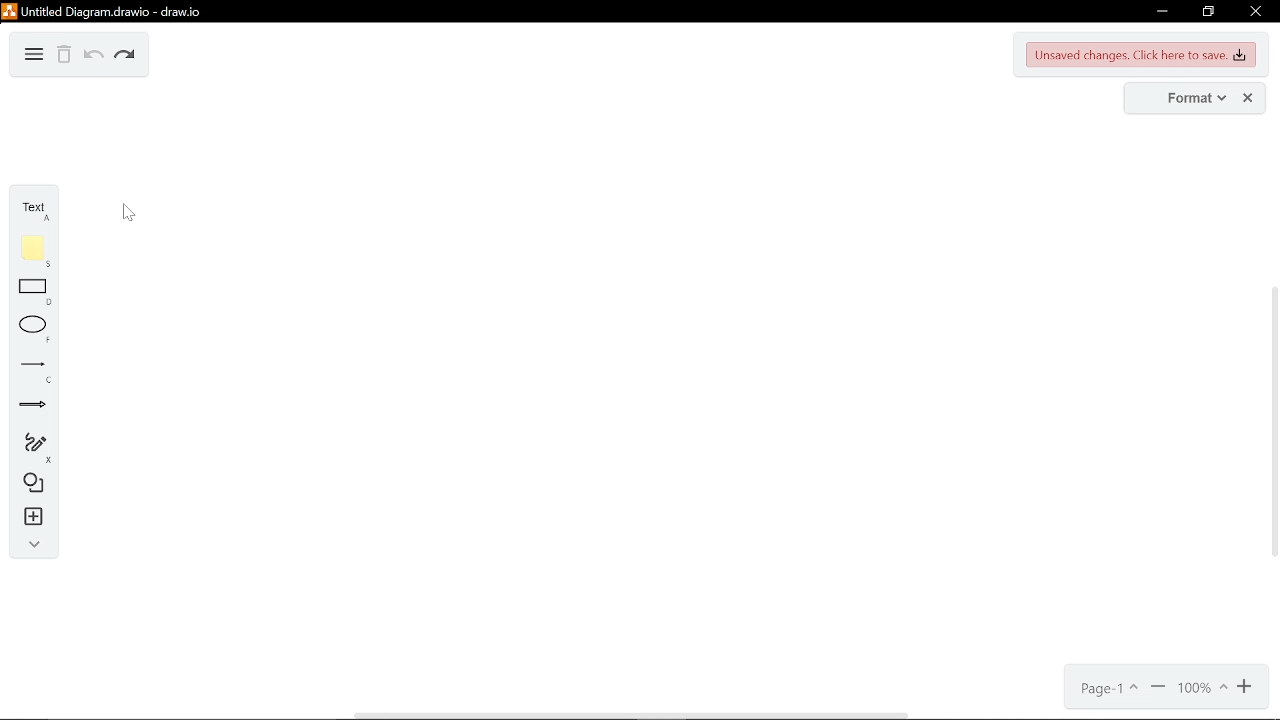  What do you see at coordinates (38, 487) in the screenshot?
I see `shapes` at bounding box center [38, 487].